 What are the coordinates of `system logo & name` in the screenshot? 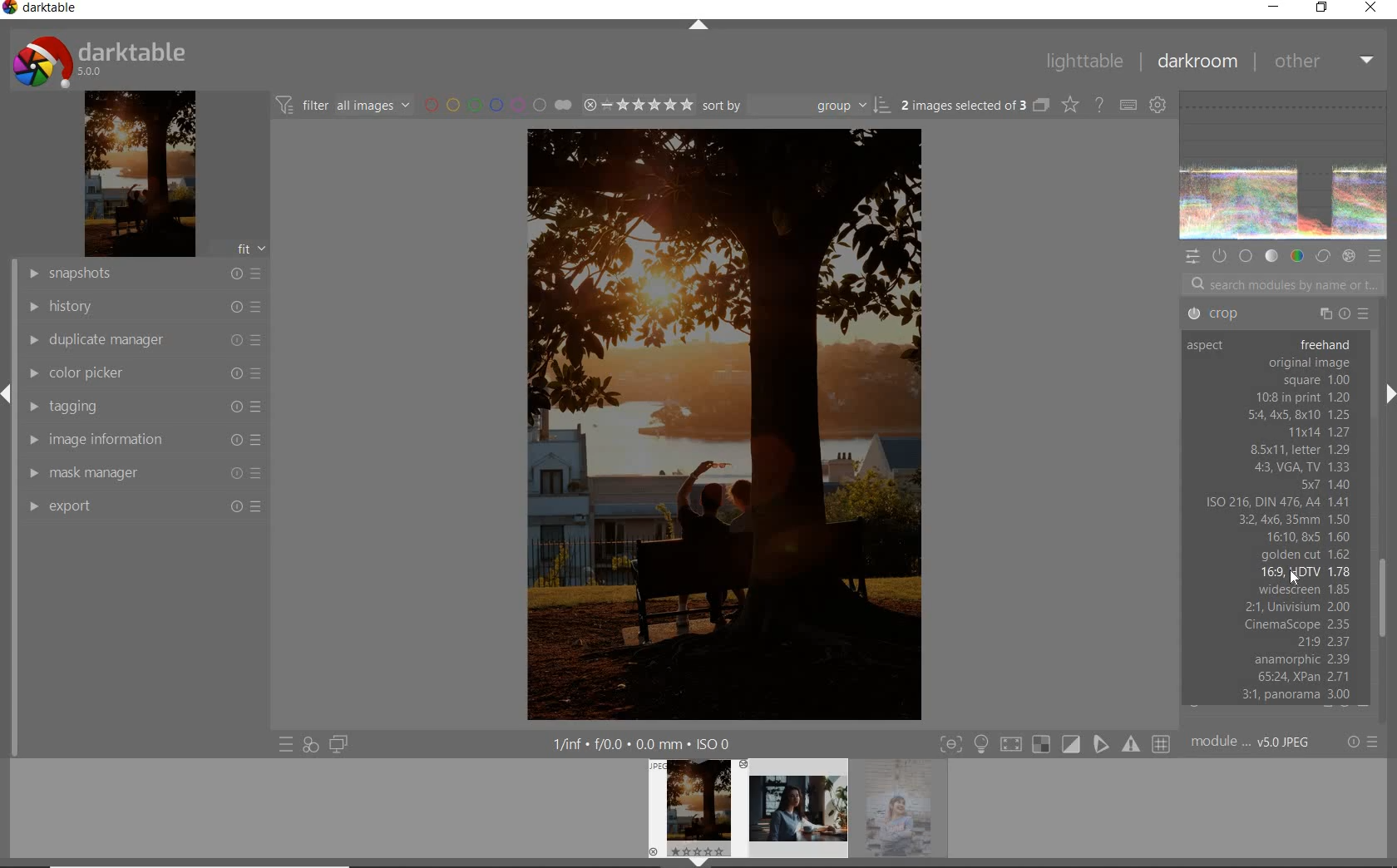 It's located at (103, 62).